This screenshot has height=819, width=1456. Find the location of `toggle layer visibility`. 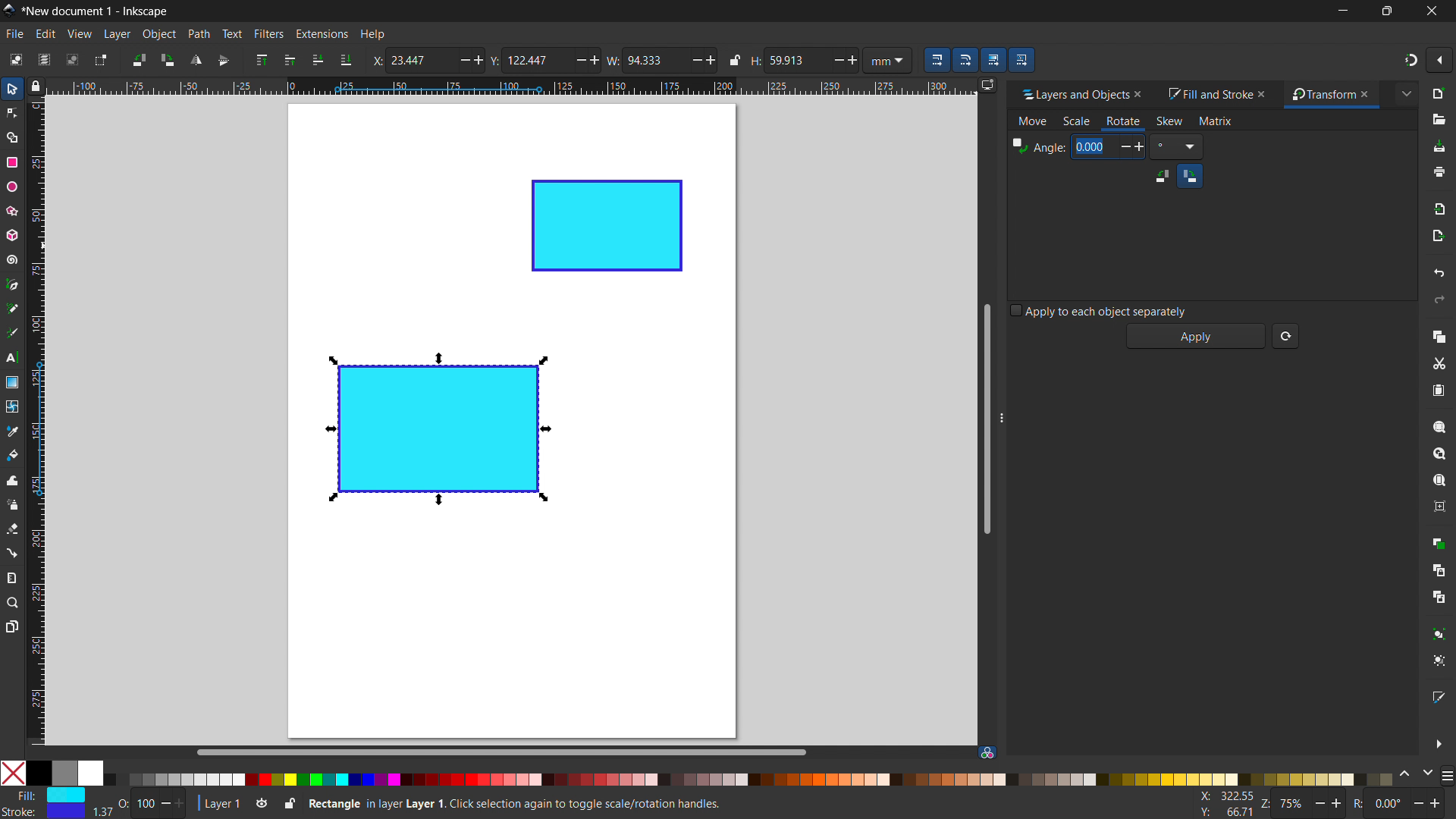

toggle layer visibility is located at coordinates (262, 805).